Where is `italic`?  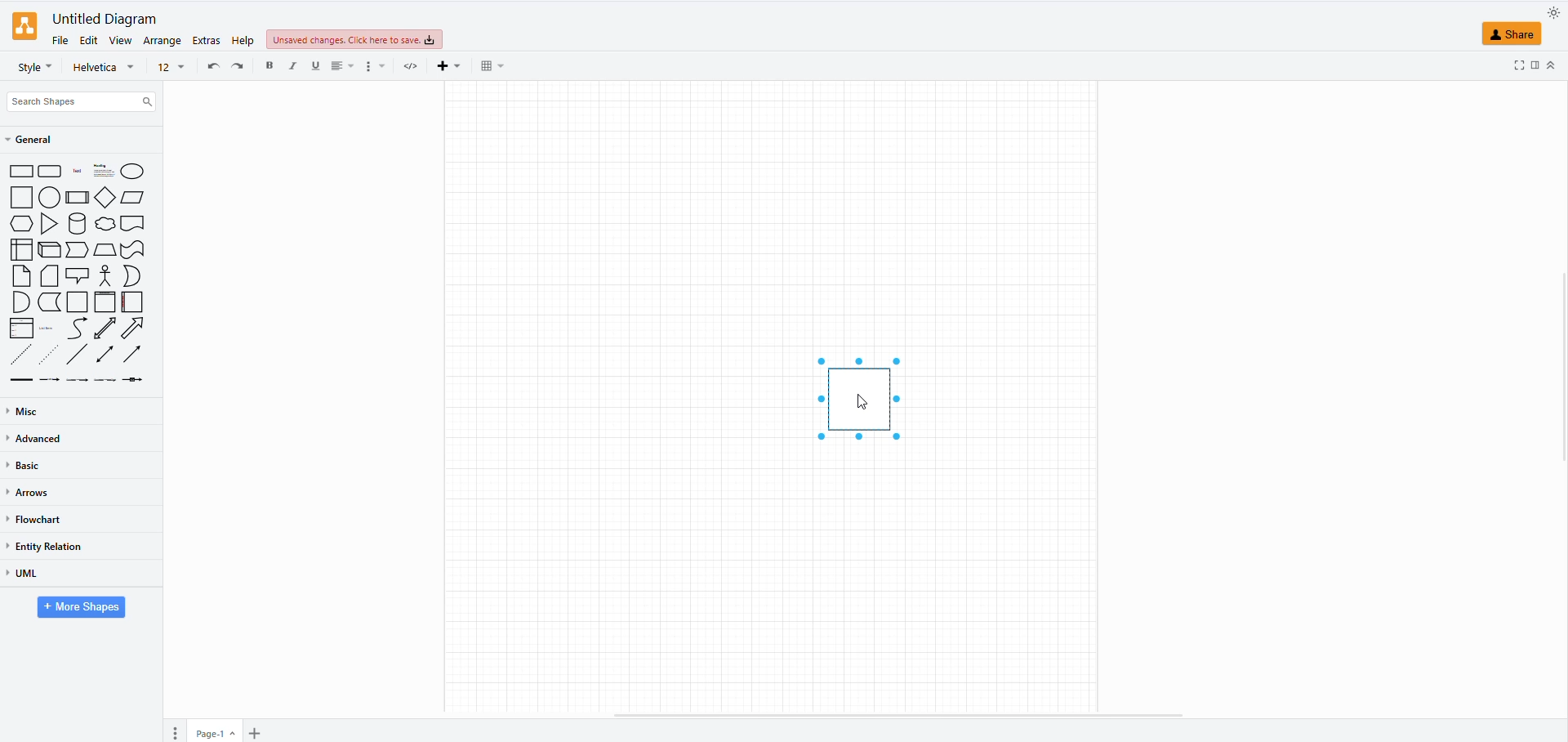 italic is located at coordinates (296, 65).